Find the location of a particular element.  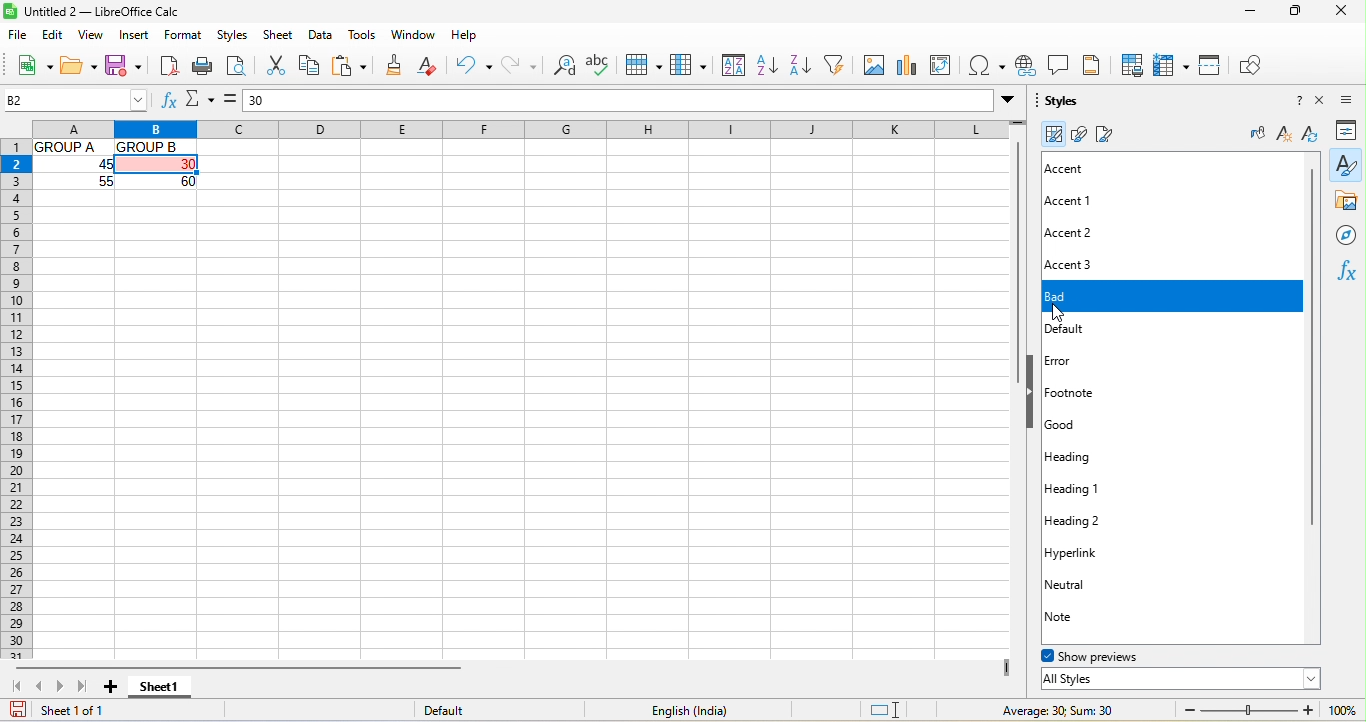

note is located at coordinates (1078, 617).